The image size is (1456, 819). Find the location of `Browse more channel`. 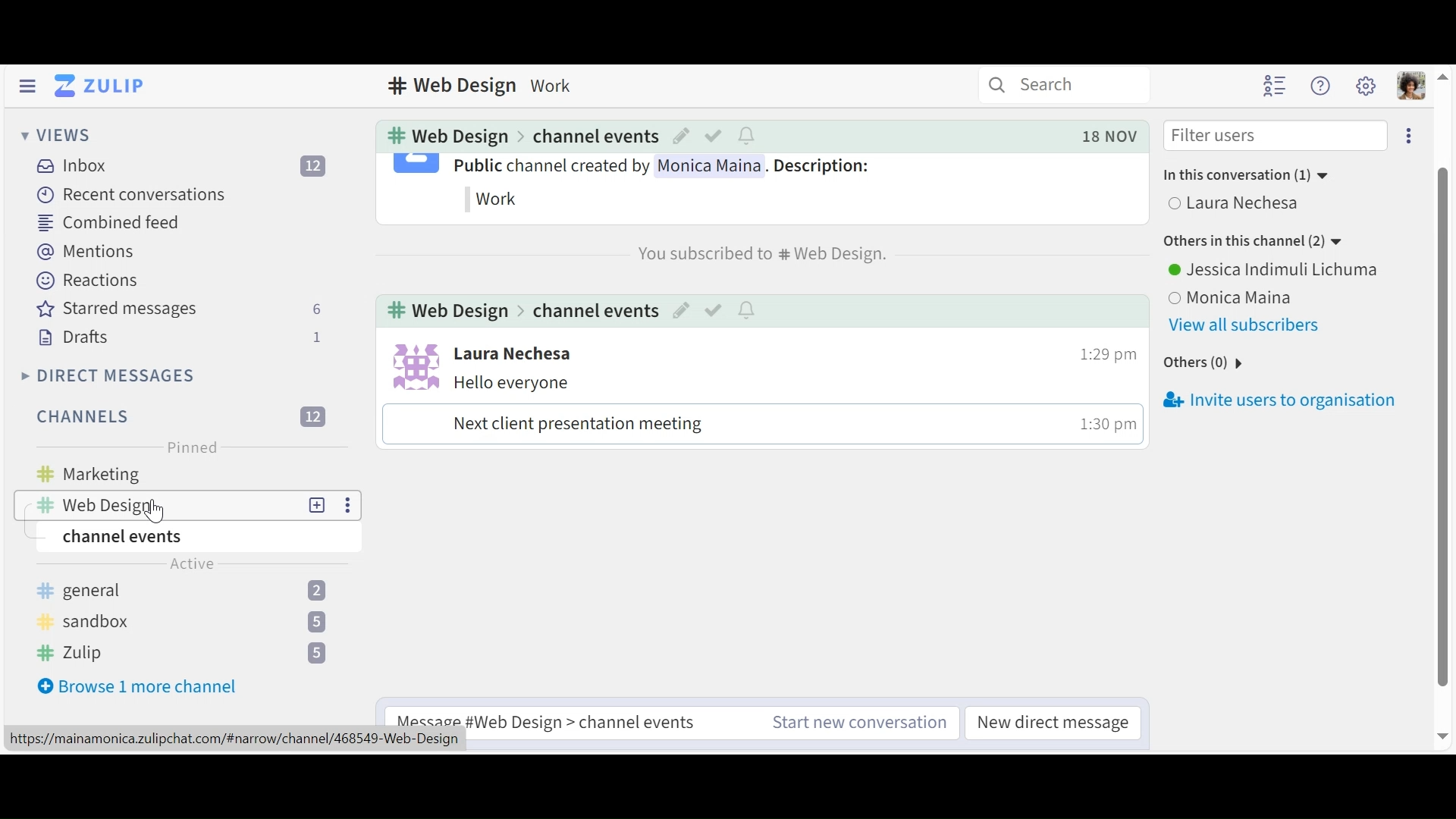

Browse more channel is located at coordinates (138, 687).